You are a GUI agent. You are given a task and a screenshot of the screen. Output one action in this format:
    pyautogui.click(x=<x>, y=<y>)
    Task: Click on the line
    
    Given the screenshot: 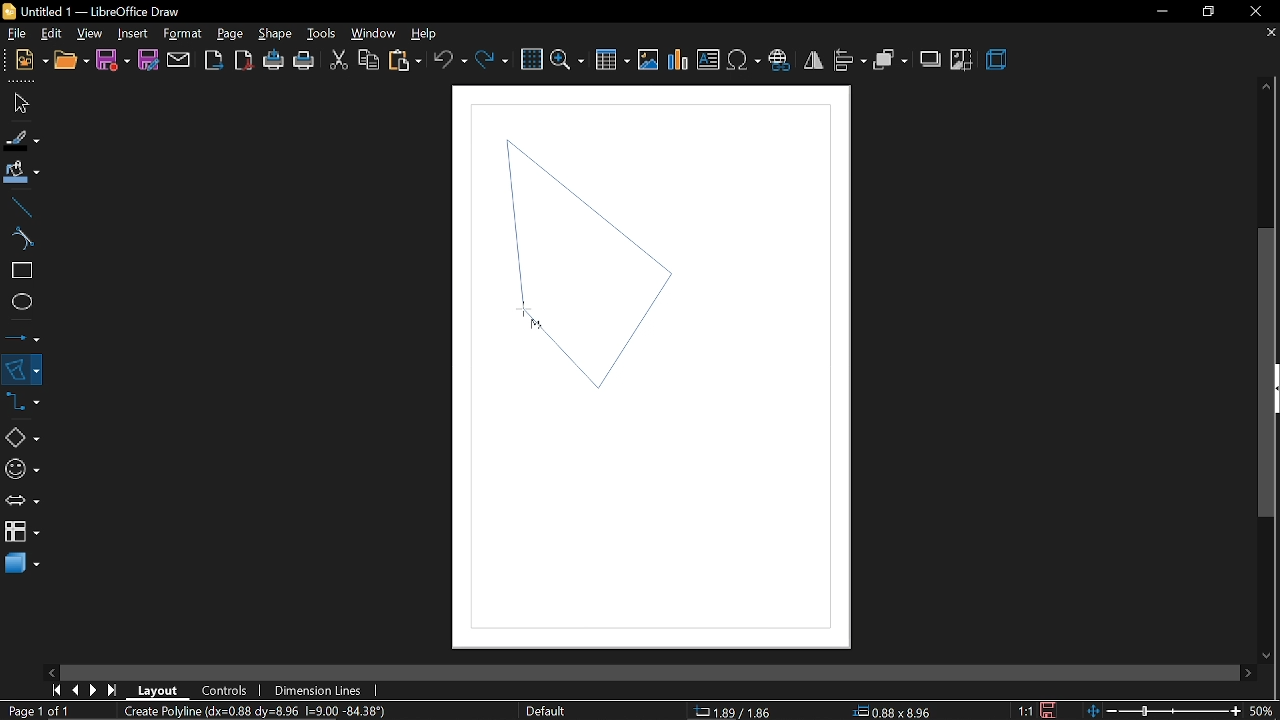 What is the action you would take?
    pyautogui.click(x=19, y=207)
    